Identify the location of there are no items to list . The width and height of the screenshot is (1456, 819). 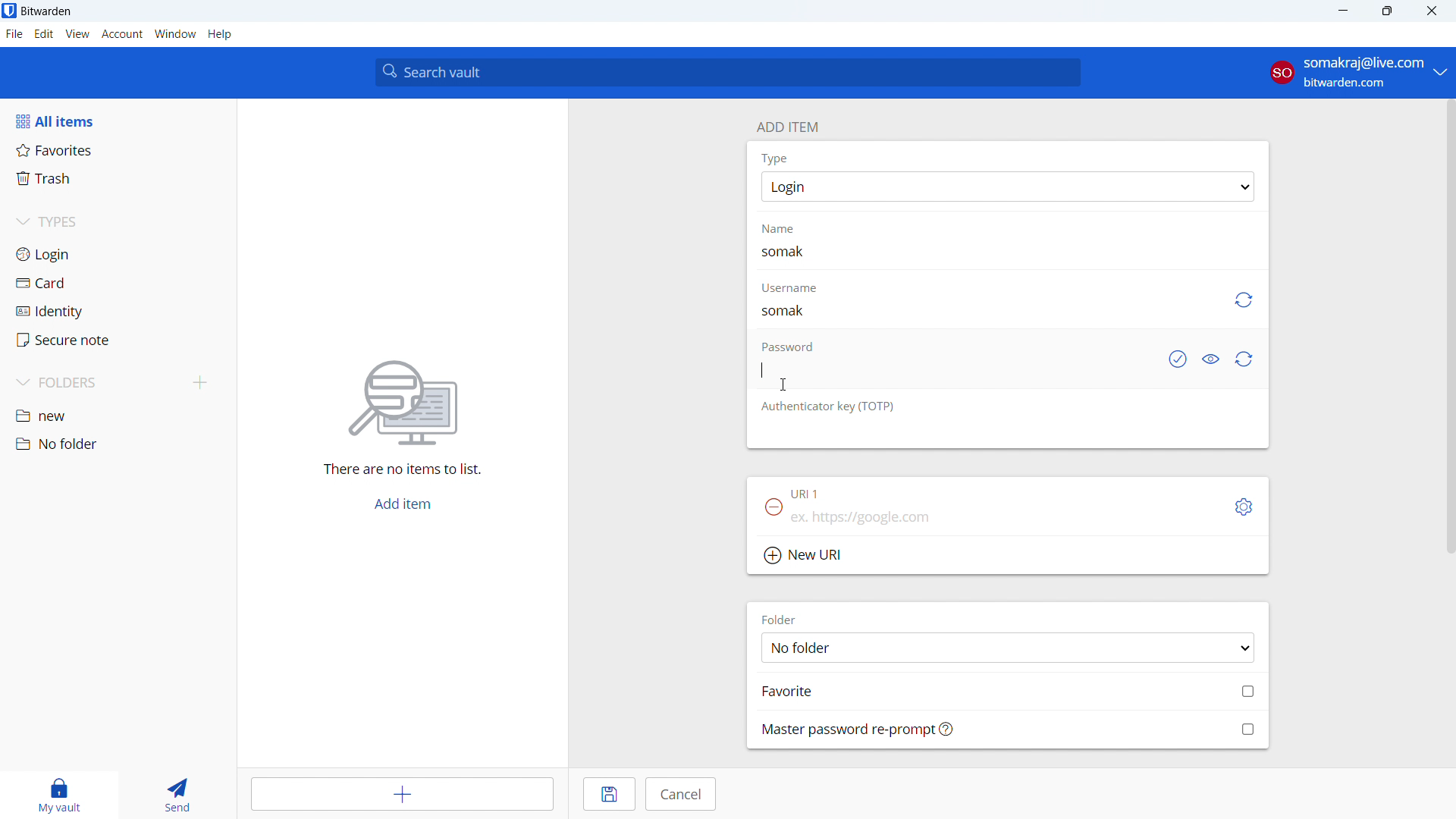
(397, 471).